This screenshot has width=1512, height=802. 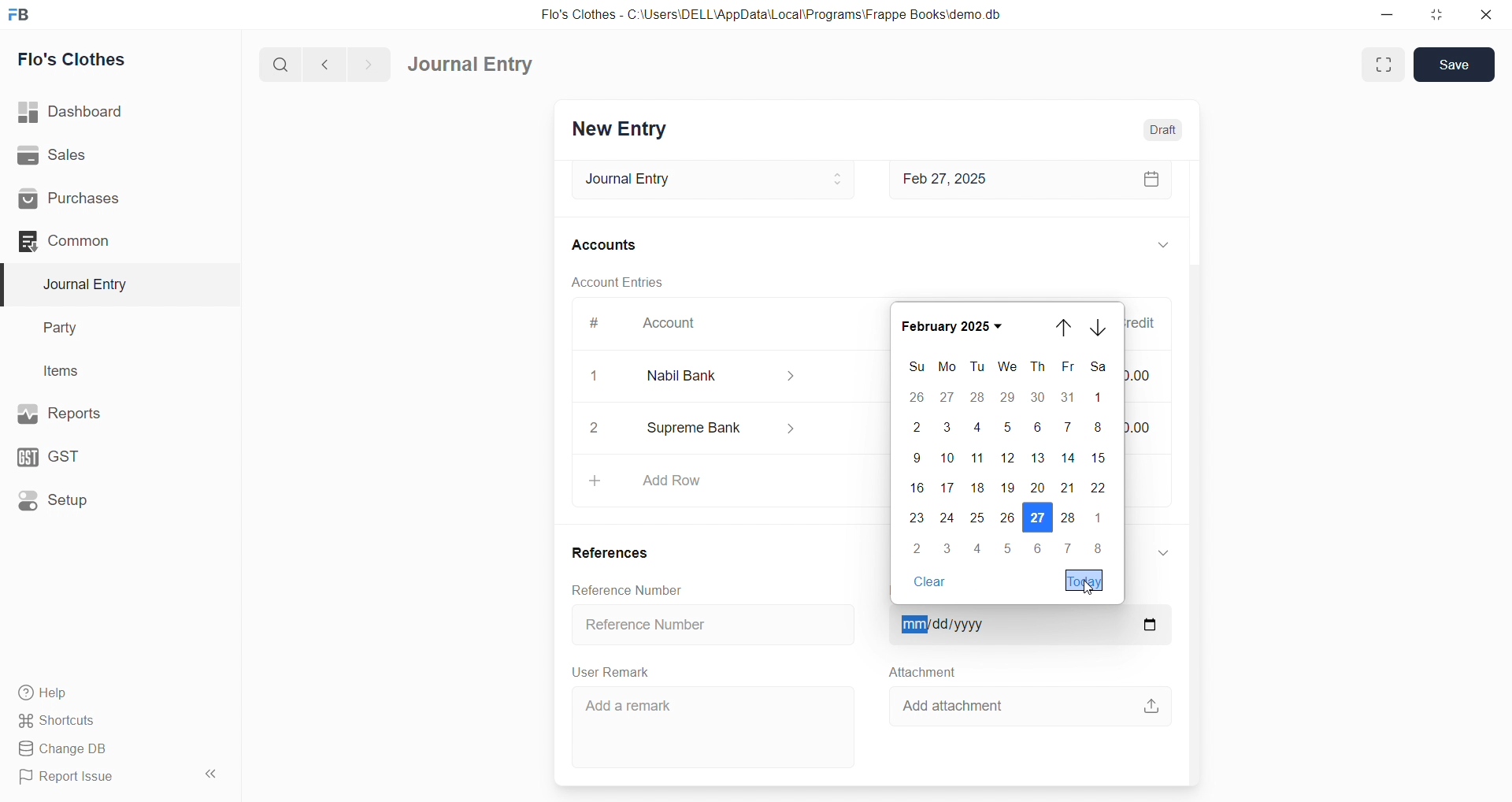 I want to click on FR, so click(x=1069, y=369).